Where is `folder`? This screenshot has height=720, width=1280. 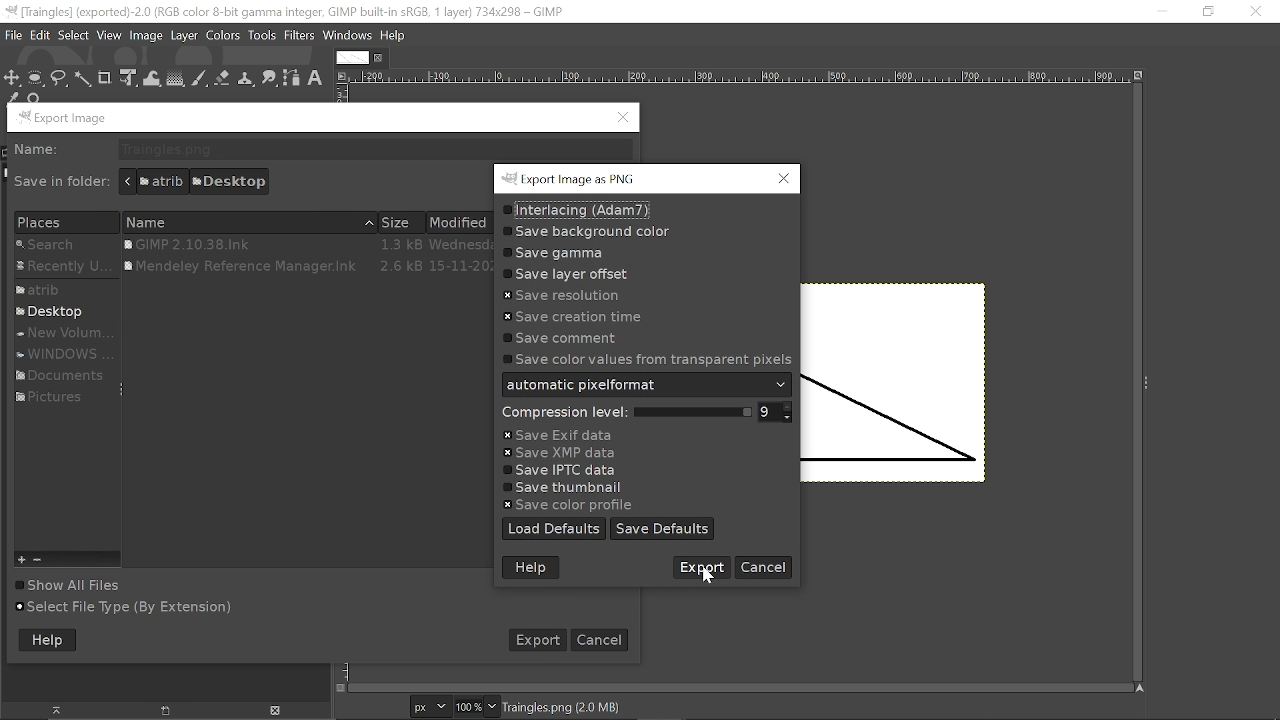 folder is located at coordinates (57, 399).